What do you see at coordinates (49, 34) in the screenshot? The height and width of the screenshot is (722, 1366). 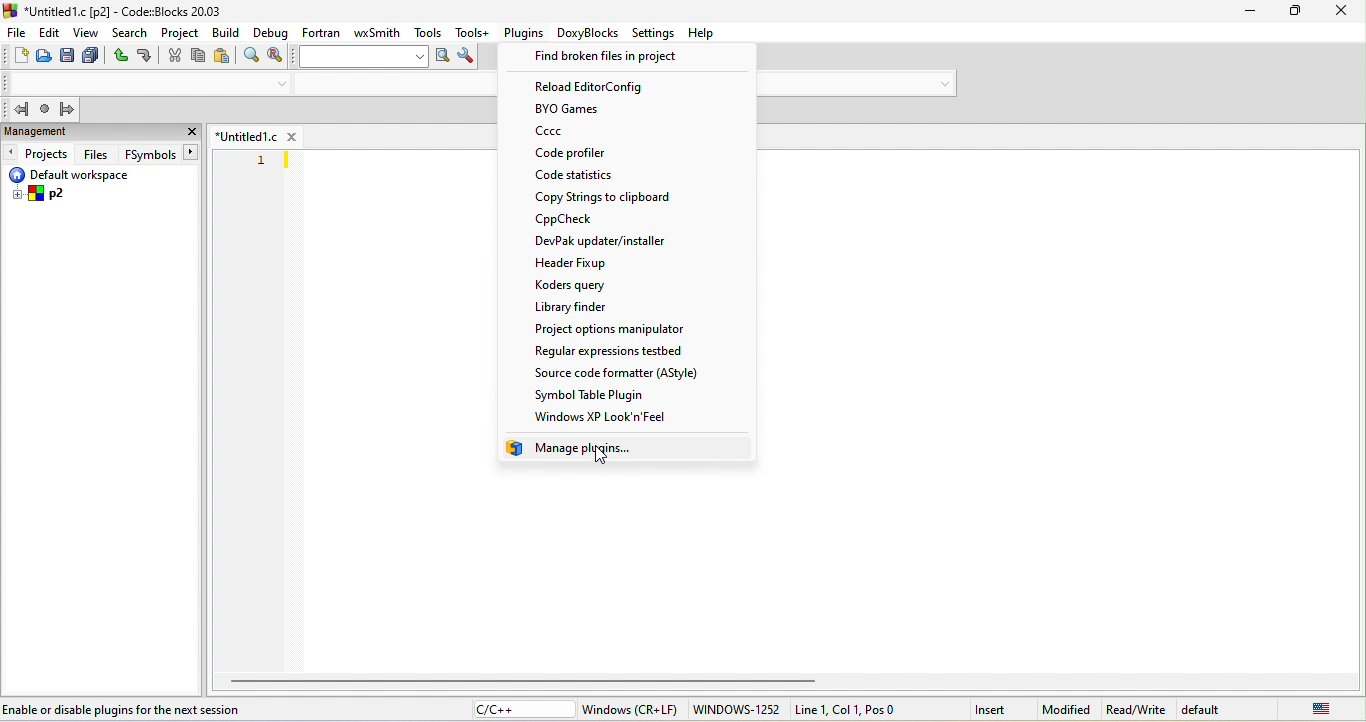 I see `edit` at bounding box center [49, 34].